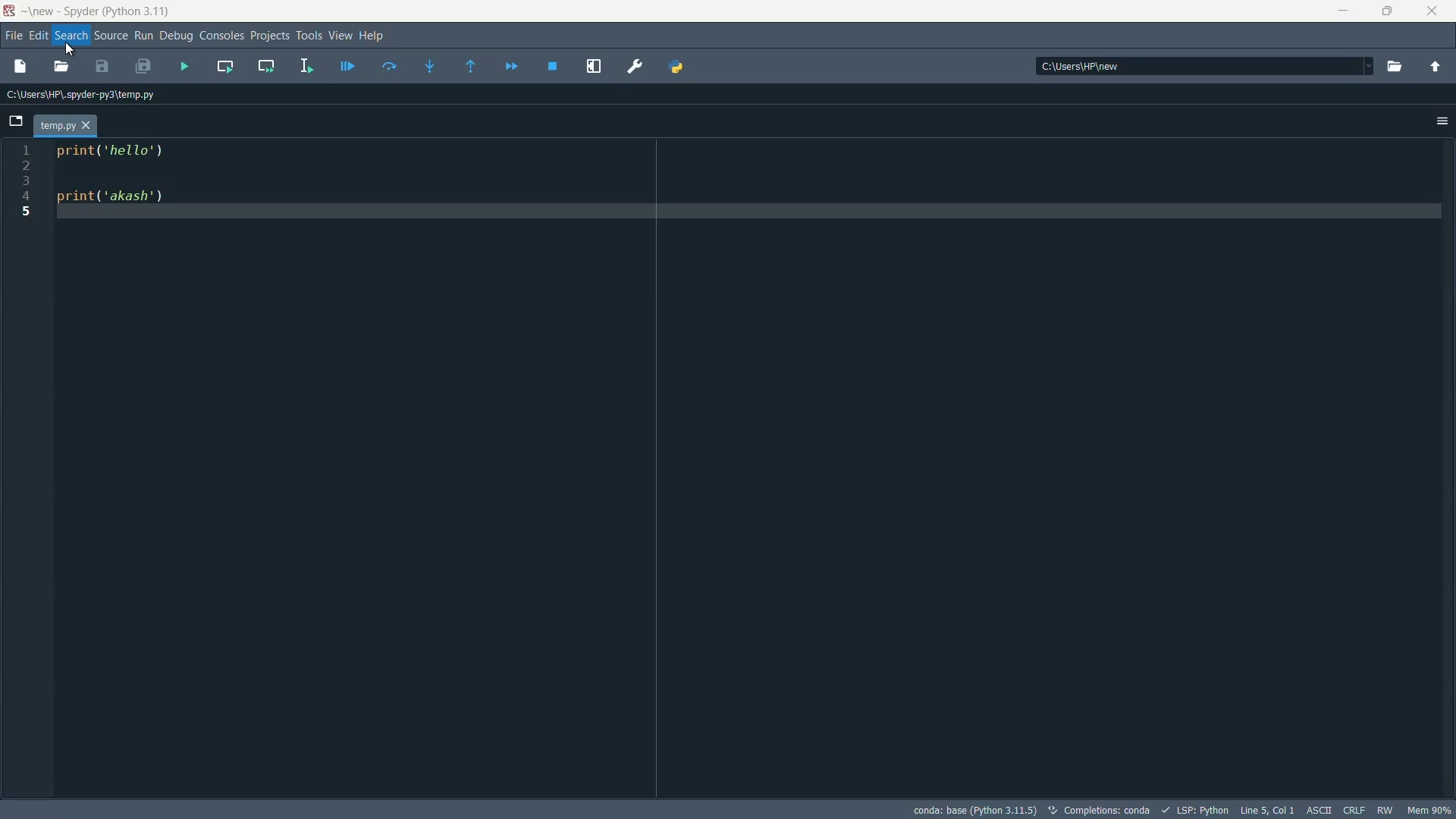 The width and height of the screenshot is (1456, 819). Describe the element at coordinates (82, 11) in the screenshot. I see `Spyder` at that location.